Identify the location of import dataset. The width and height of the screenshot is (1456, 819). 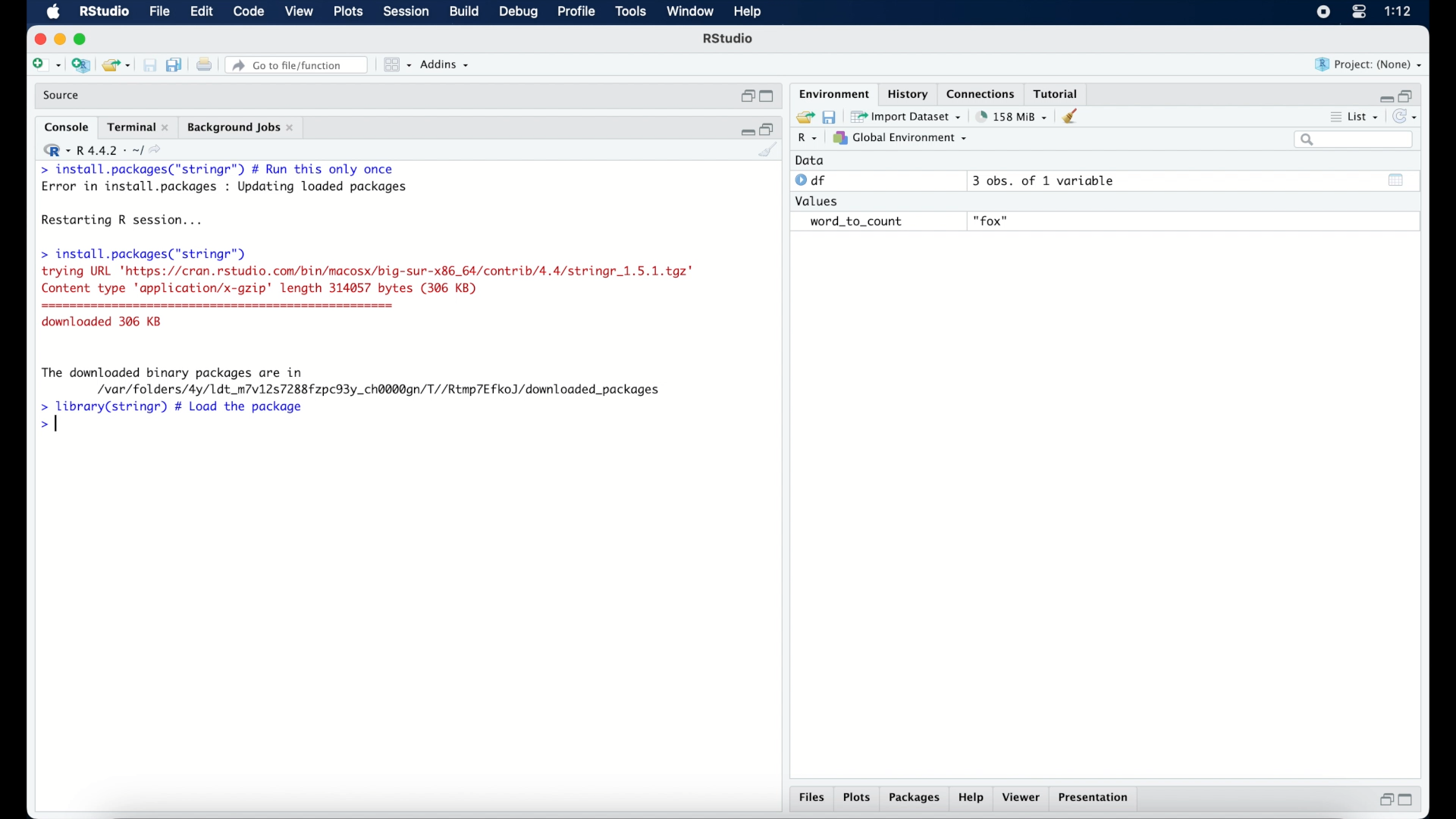
(906, 117).